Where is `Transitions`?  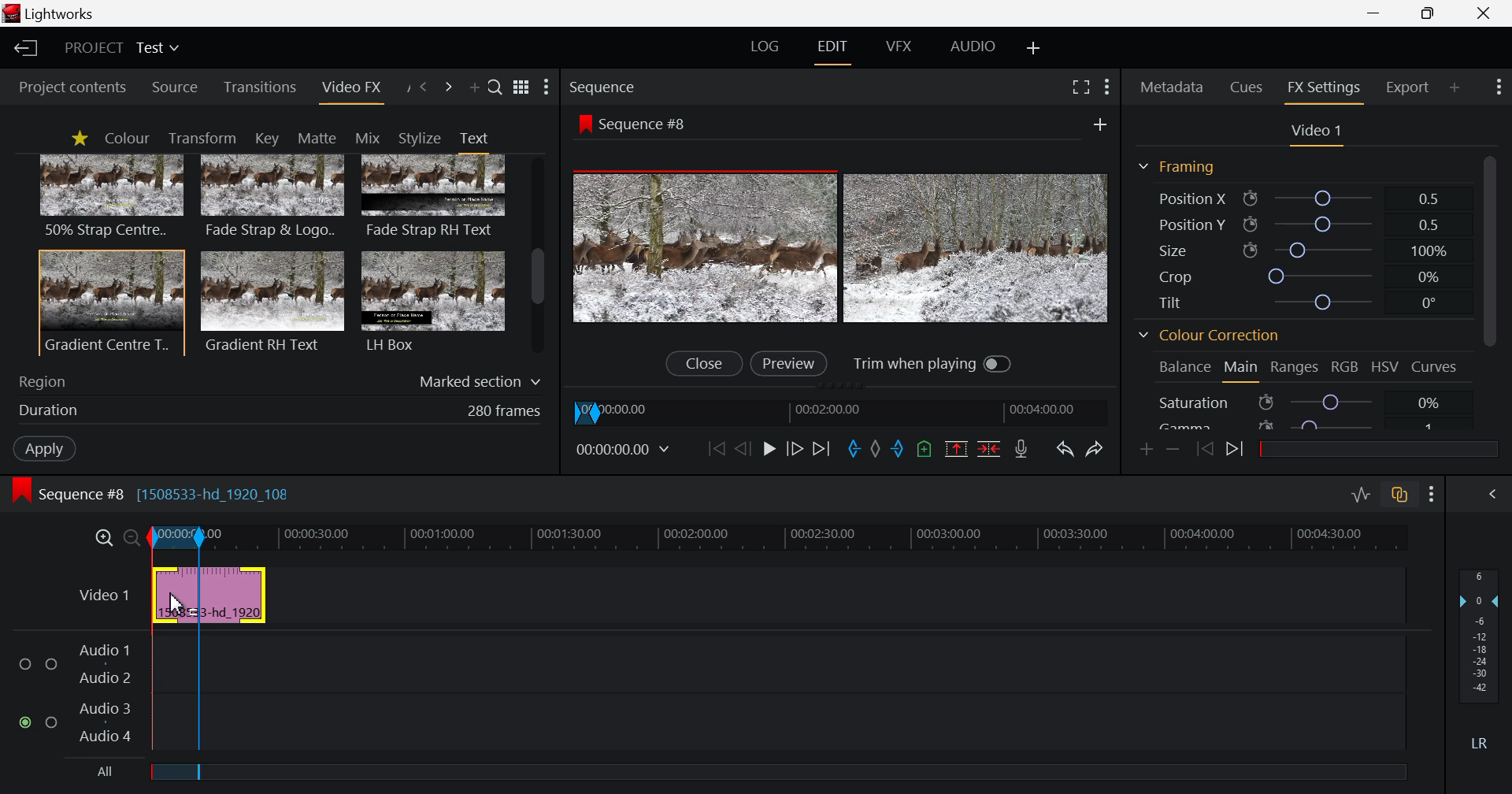 Transitions is located at coordinates (261, 87).